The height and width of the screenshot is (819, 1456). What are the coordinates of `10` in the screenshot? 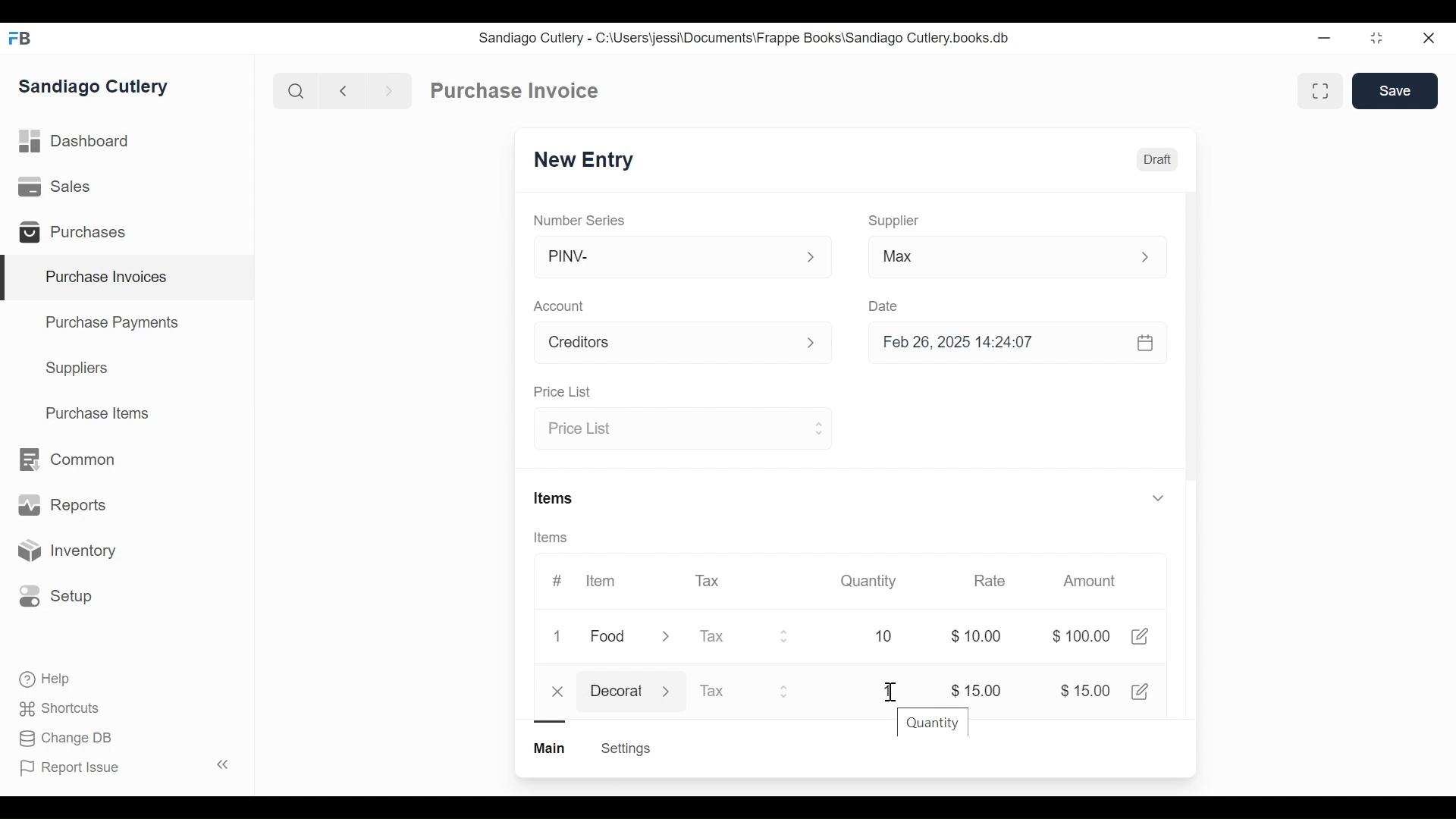 It's located at (866, 636).